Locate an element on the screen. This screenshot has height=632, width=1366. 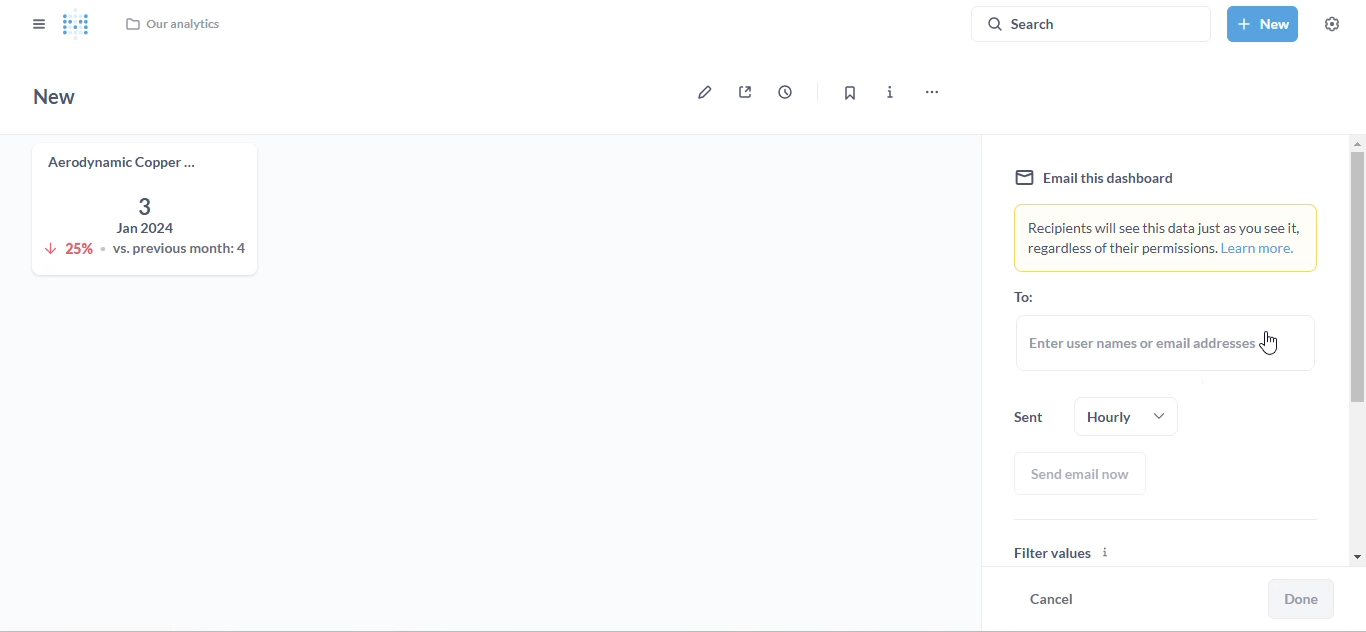
more is located at coordinates (930, 93).